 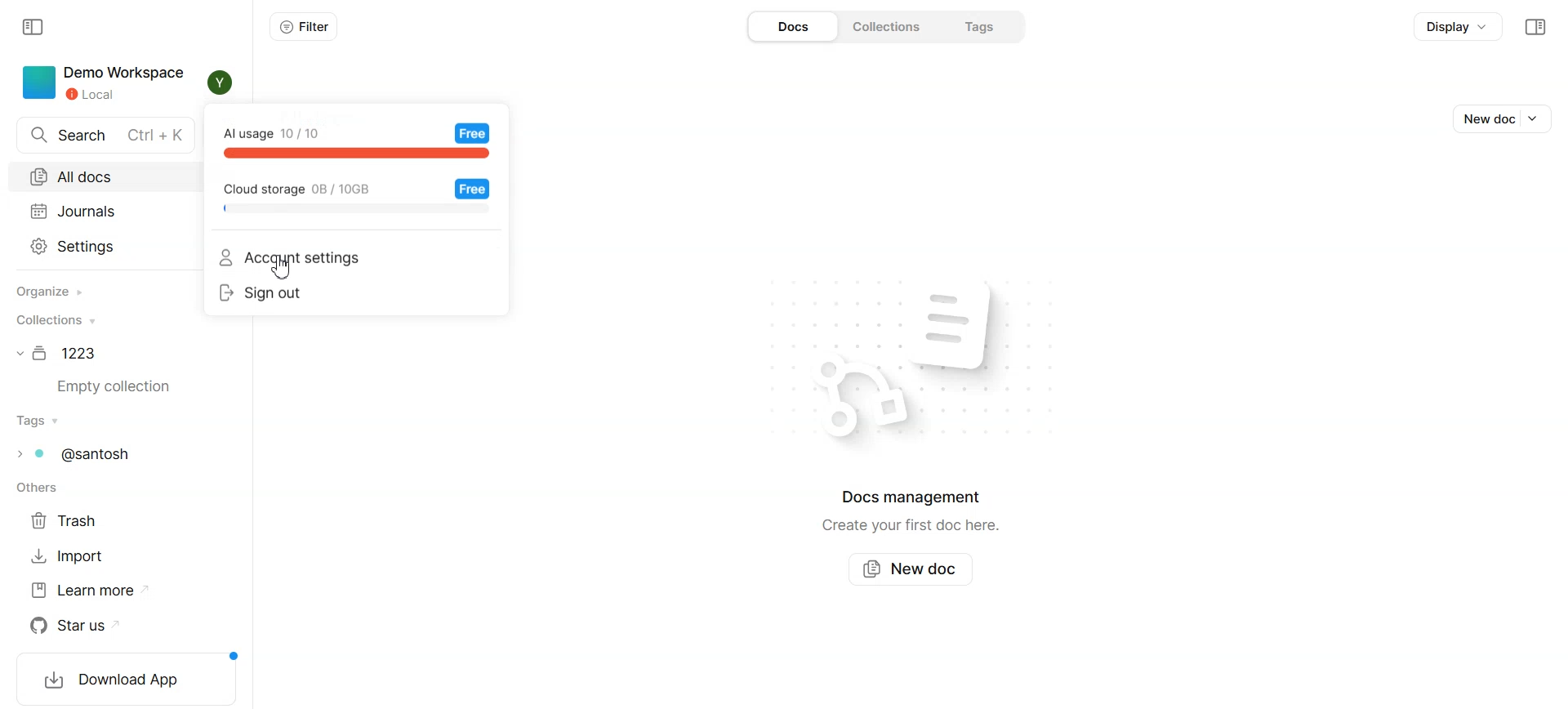 What do you see at coordinates (34, 28) in the screenshot?
I see `Collapse sidebar` at bounding box center [34, 28].